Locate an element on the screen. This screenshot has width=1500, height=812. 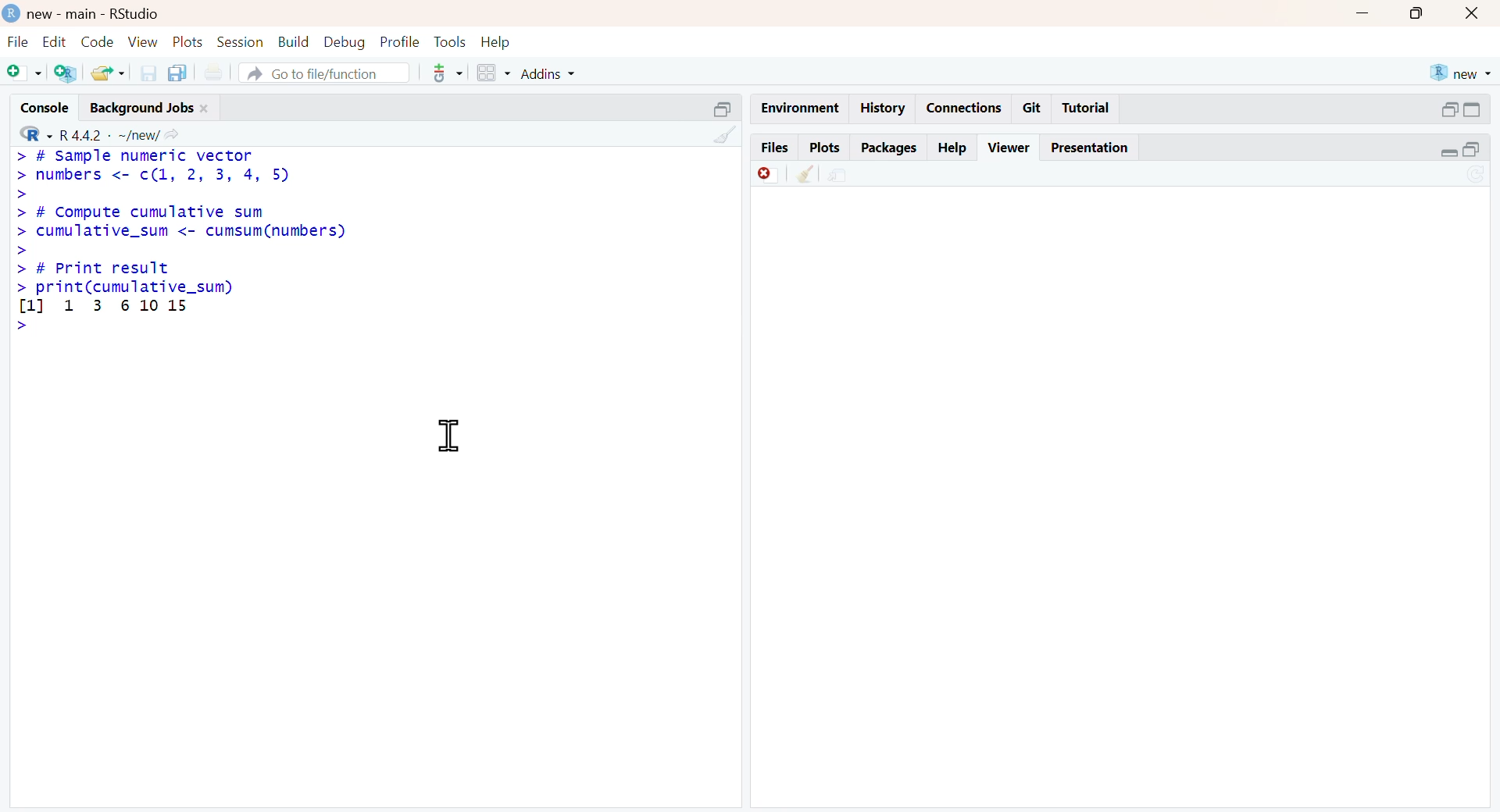
History is located at coordinates (883, 108).